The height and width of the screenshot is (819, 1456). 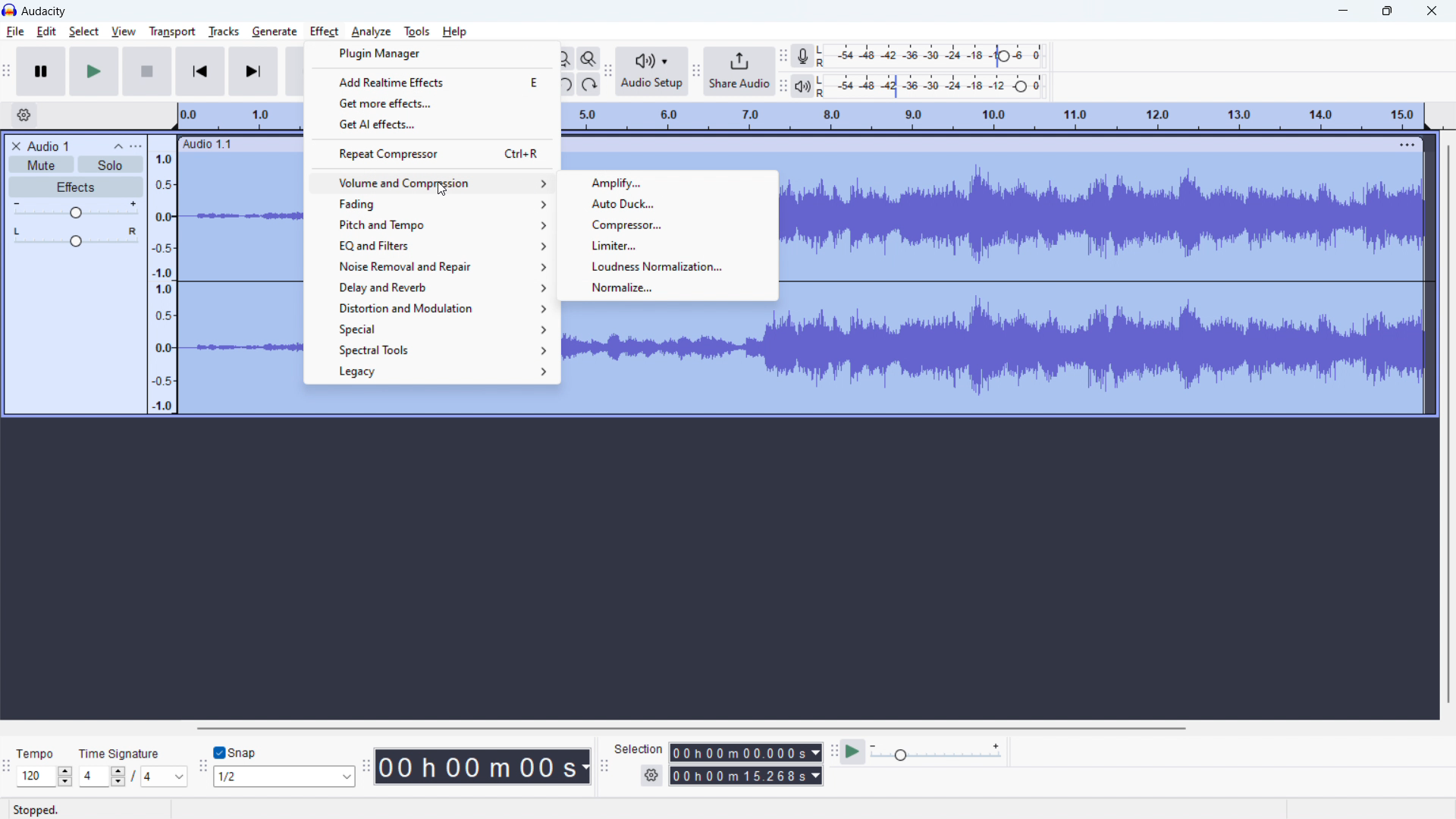 I want to click on plugin manager, so click(x=433, y=53).